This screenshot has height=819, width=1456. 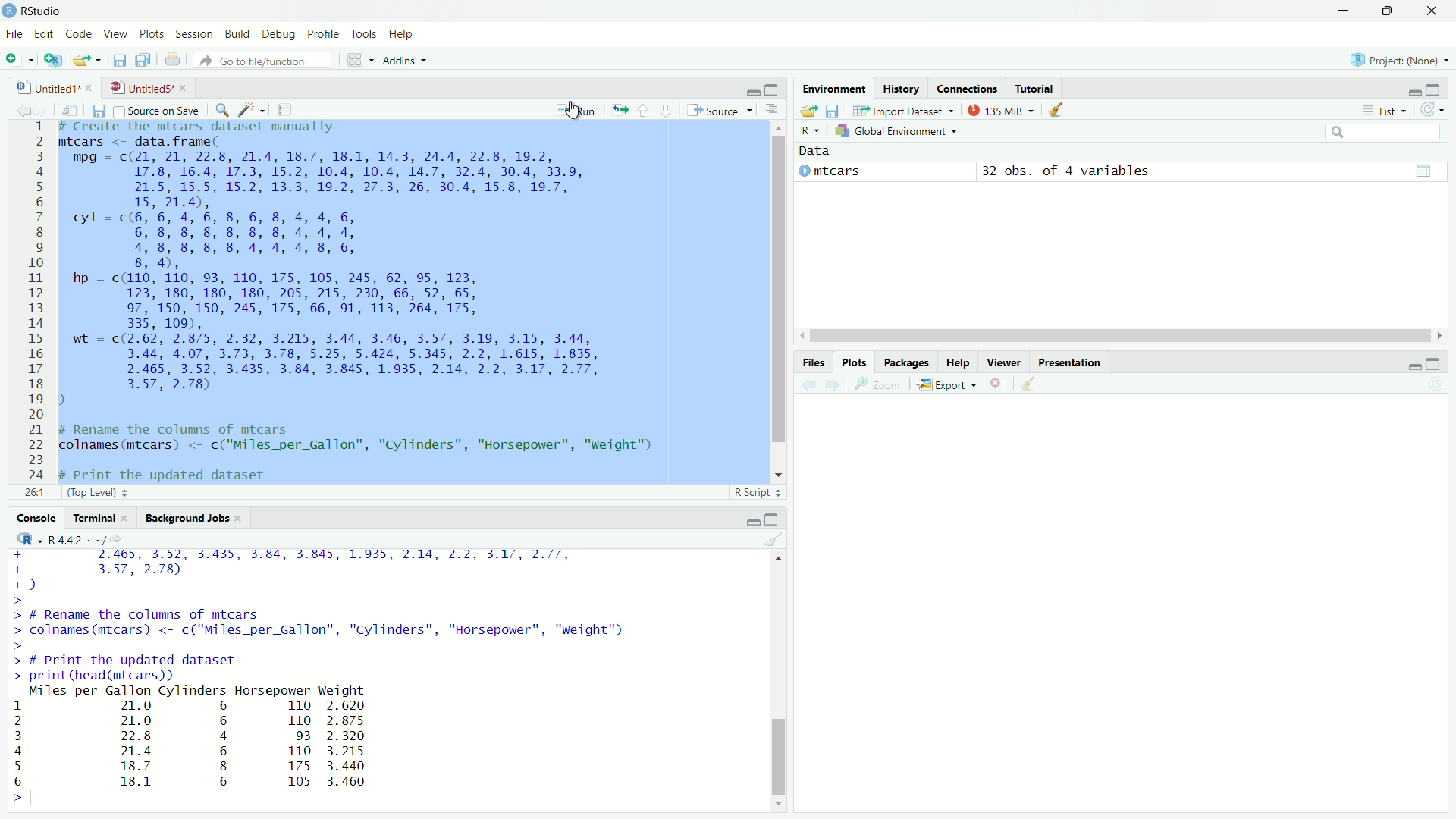 I want to click on Presentation, so click(x=1072, y=364).